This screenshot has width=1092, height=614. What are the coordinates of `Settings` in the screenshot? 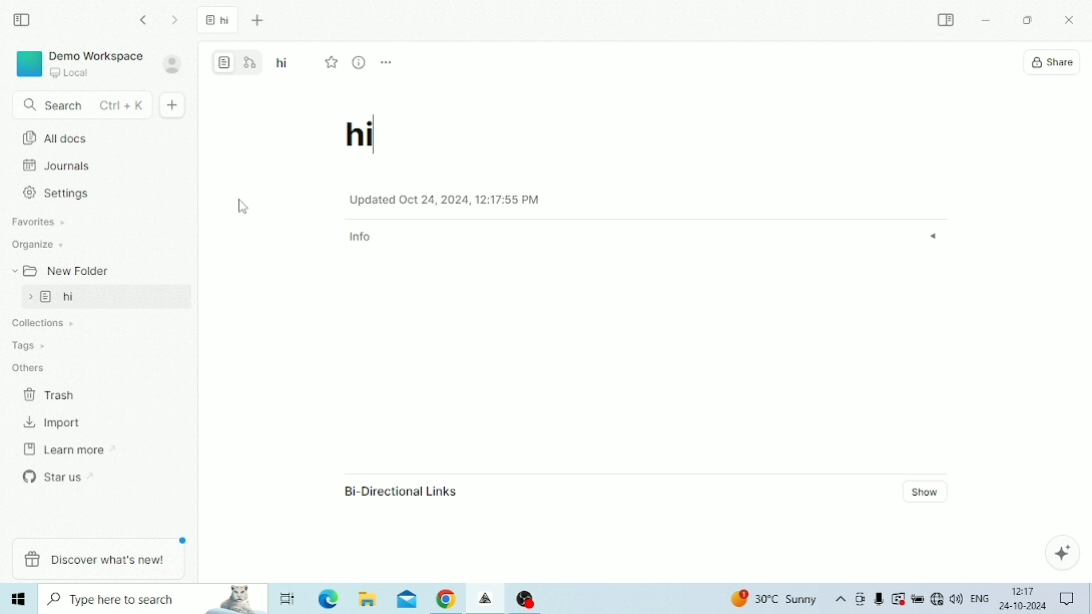 It's located at (61, 193).